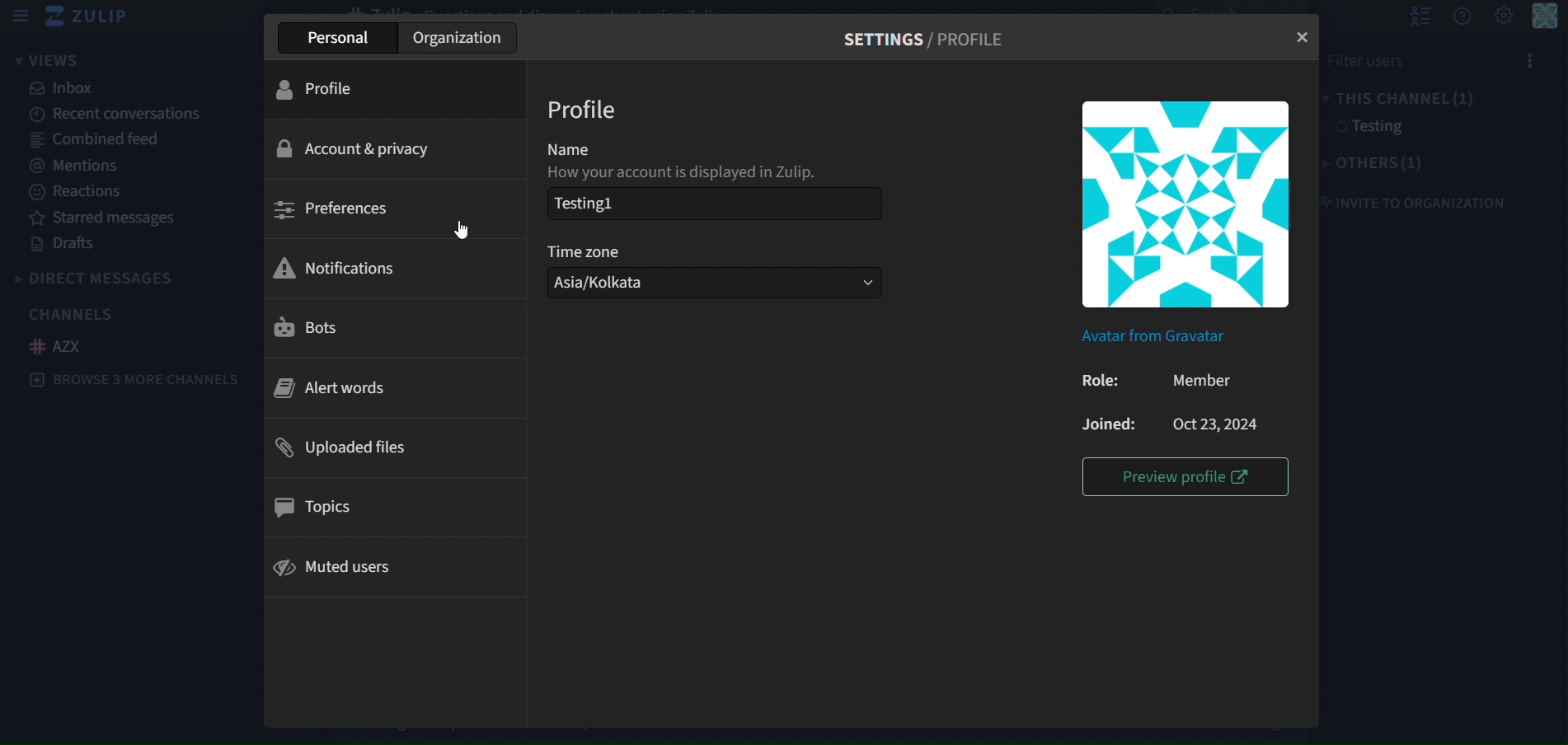 This screenshot has height=745, width=1568. Describe the element at coordinates (346, 444) in the screenshot. I see `uploaded files` at that location.